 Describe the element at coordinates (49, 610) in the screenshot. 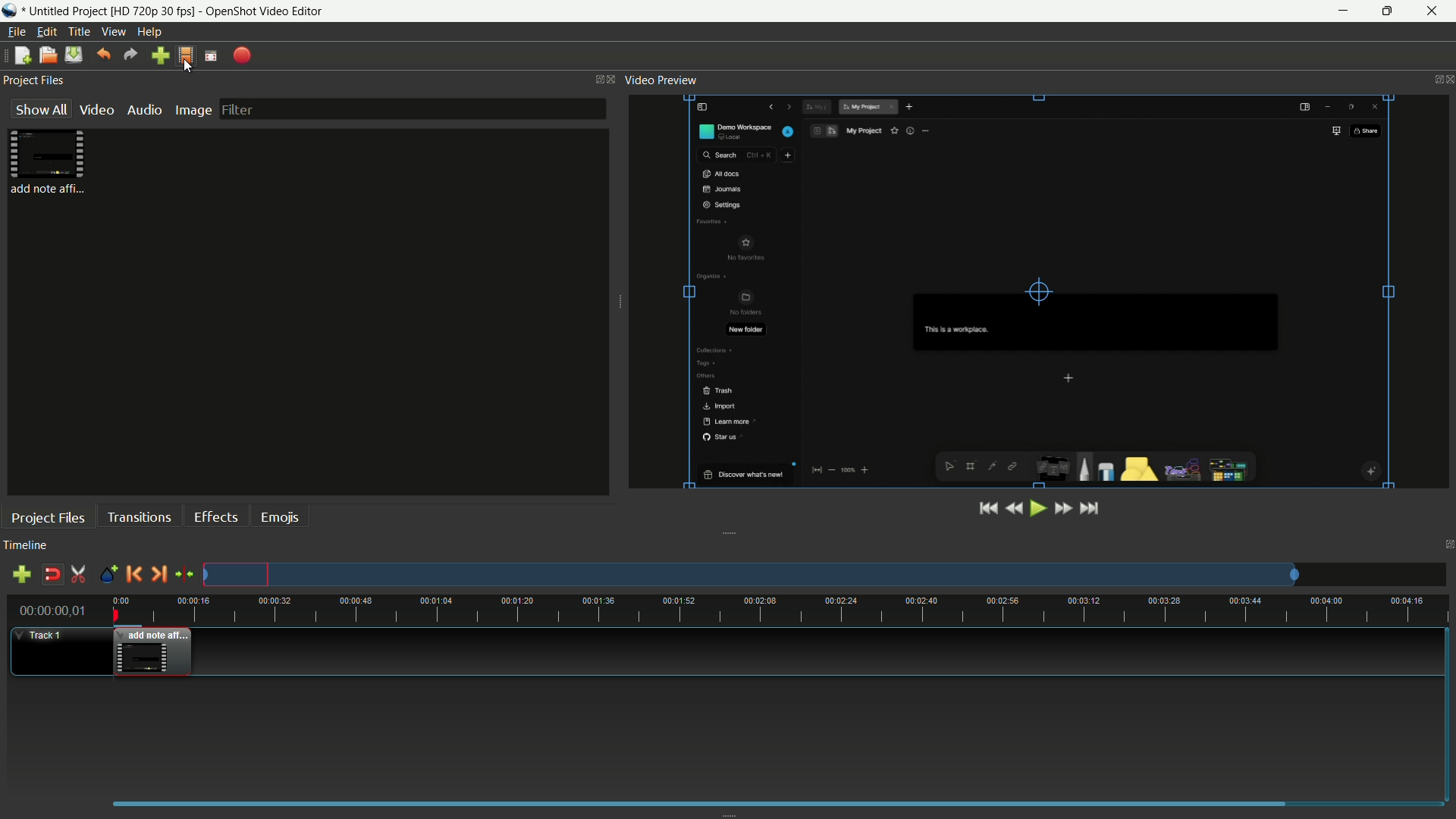

I see `current time` at that location.